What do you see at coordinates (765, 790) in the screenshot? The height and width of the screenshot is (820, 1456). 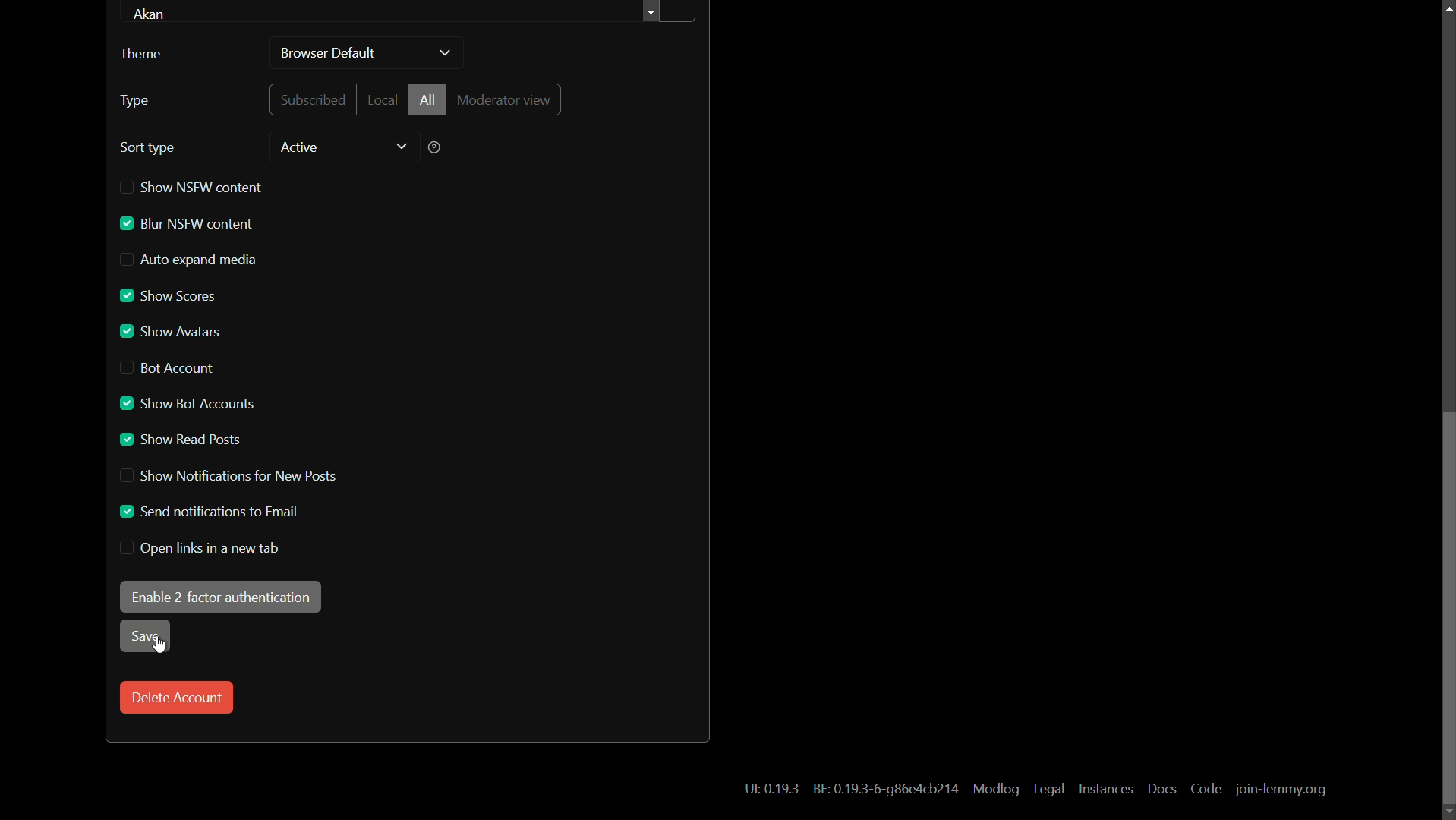 I see `text` at bounding box center [765, 790].